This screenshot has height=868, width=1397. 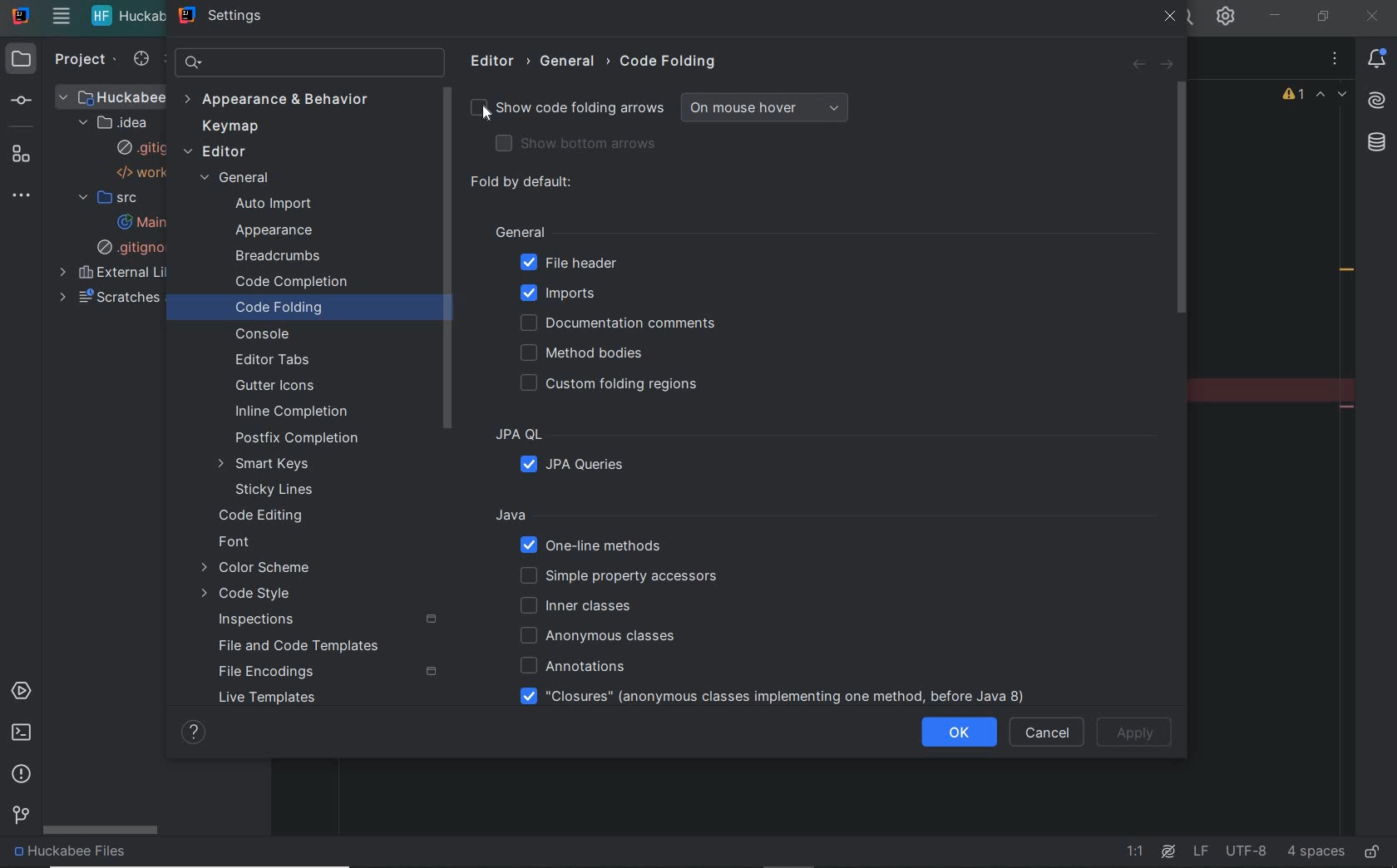 What do you see at coordinates (768, 696) in the screenshot?
I see `"closures"` at bounding box center [768, 696].